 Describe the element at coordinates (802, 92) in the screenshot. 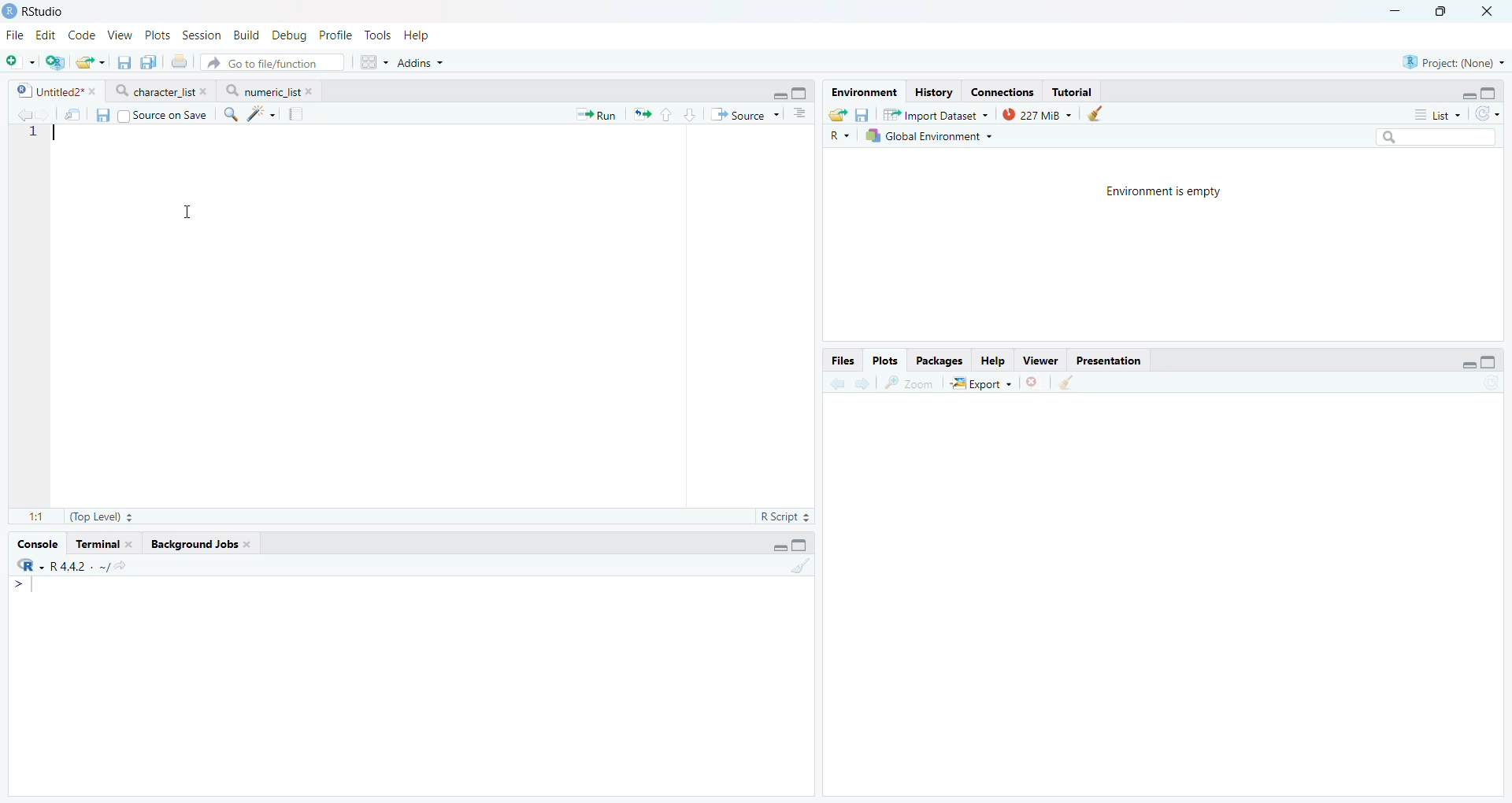

I see `Full Height` at that location.